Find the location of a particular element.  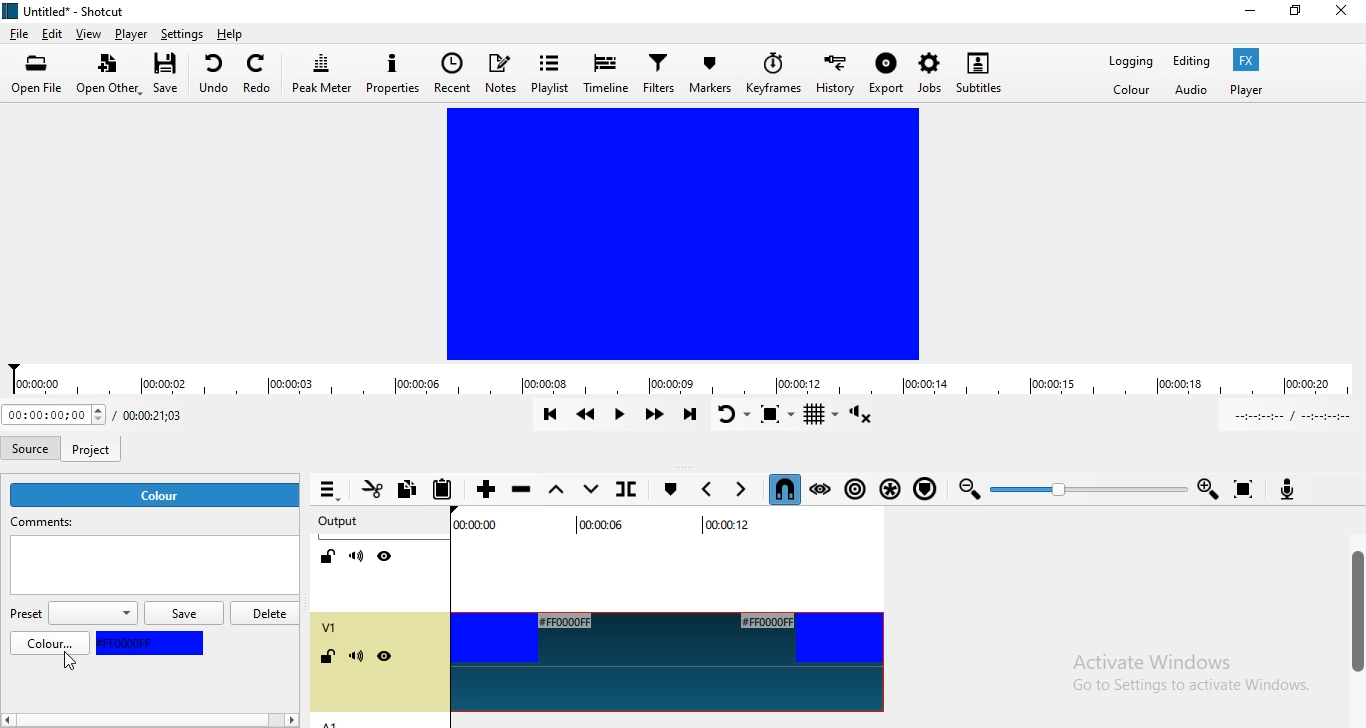

Recent is located at coordinates (453, 73).